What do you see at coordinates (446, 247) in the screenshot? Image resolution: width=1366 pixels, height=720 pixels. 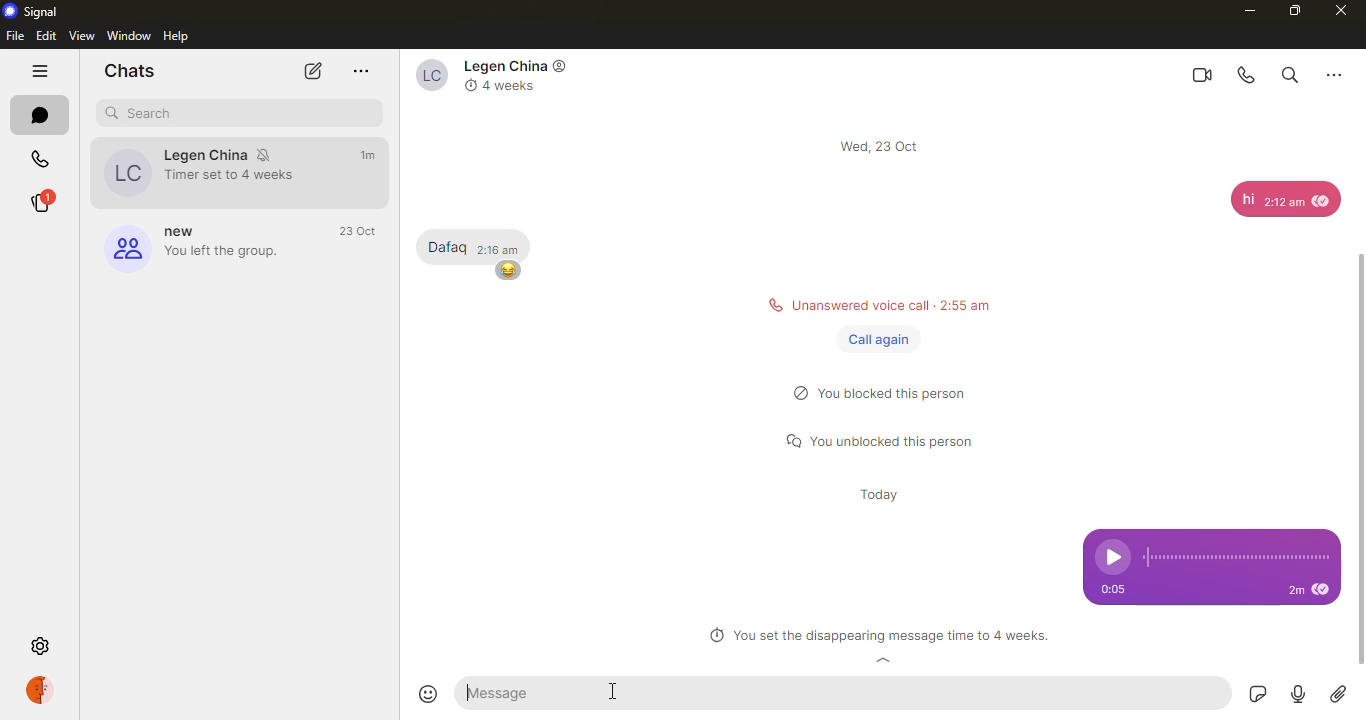 I see `Dafaq` at bounding box center [446, 247].